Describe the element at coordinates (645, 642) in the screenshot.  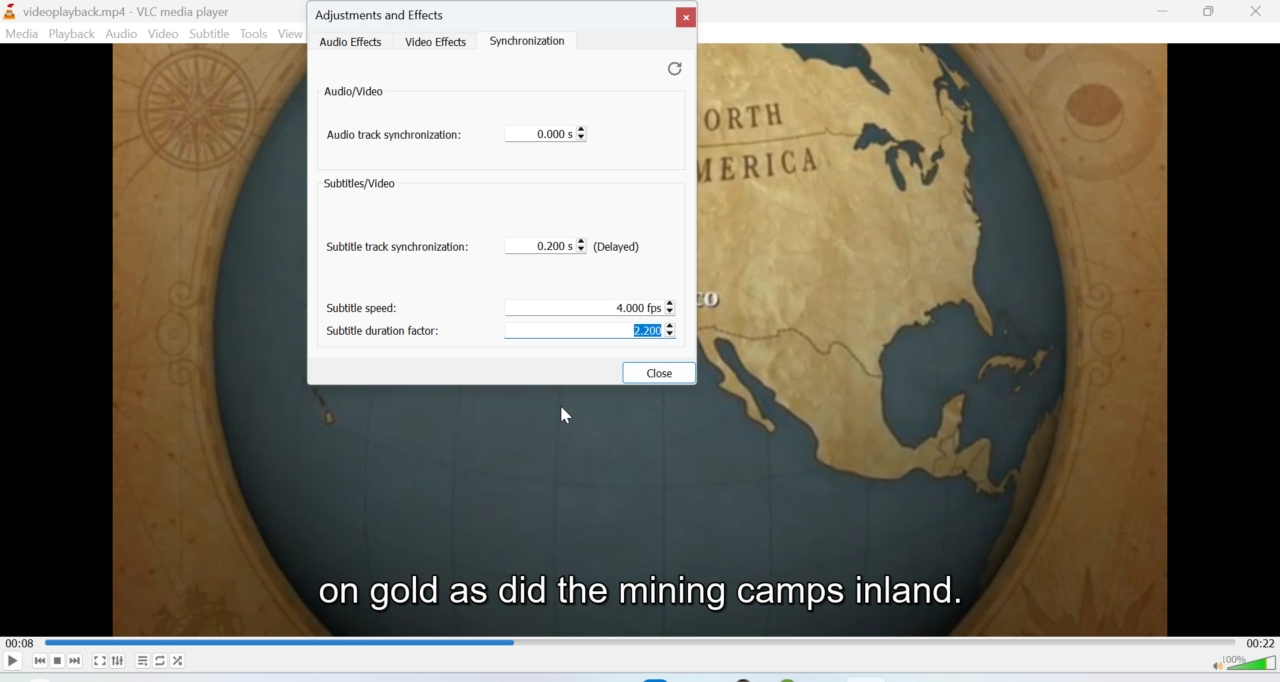
I see `Playbar` at that location.